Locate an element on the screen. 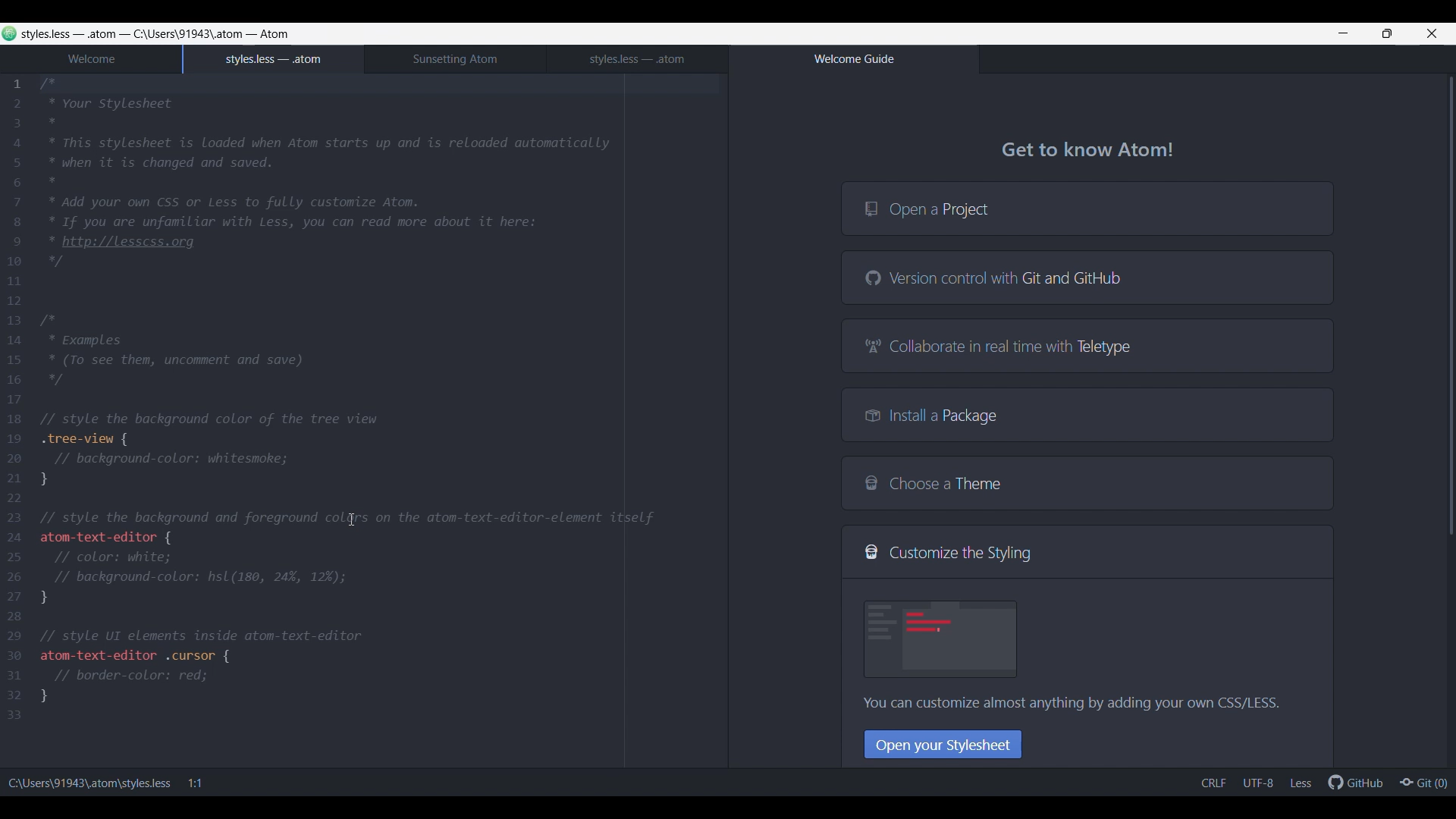  GitHub is located at coordinates (1355, 781).